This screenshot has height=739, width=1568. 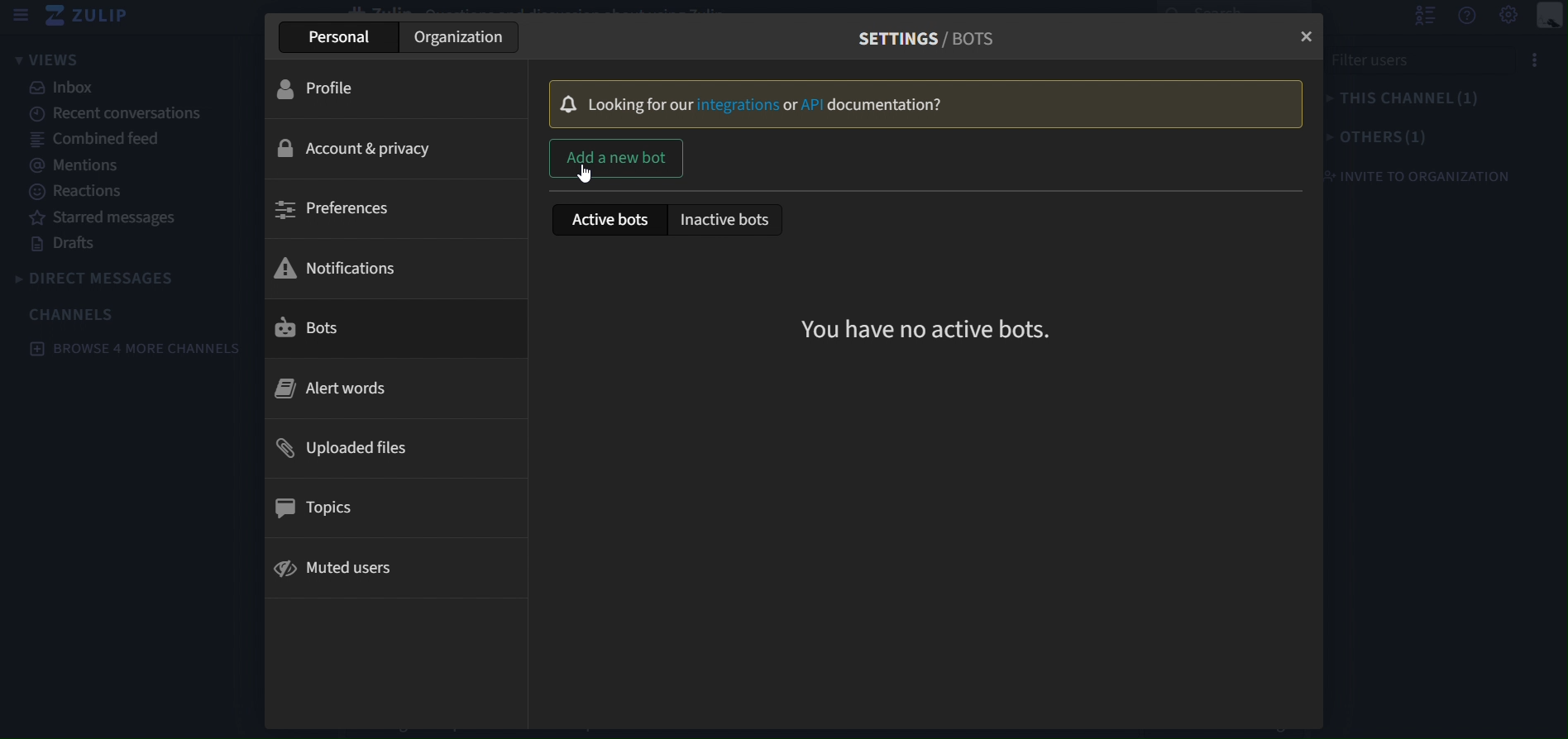 What do you see at coordinates (385, 266) in the screenshot?
I see `notifications` at bounding box center [385, 266].